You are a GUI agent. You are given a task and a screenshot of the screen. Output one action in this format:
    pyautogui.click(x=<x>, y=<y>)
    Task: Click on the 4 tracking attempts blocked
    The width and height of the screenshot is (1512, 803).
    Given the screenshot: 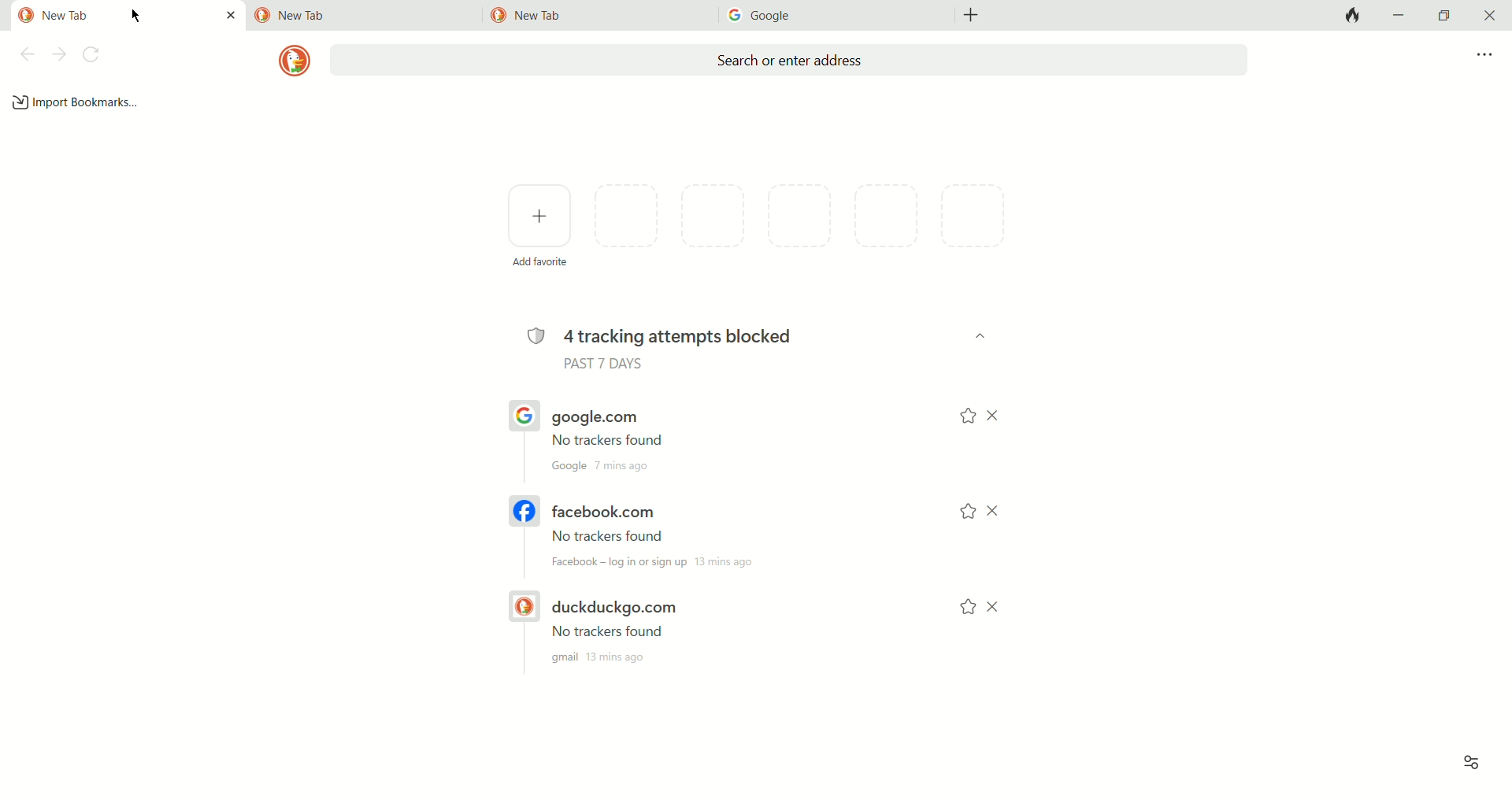 What is the action you would take?
    pyautogui.click(x=660, y=348)
    